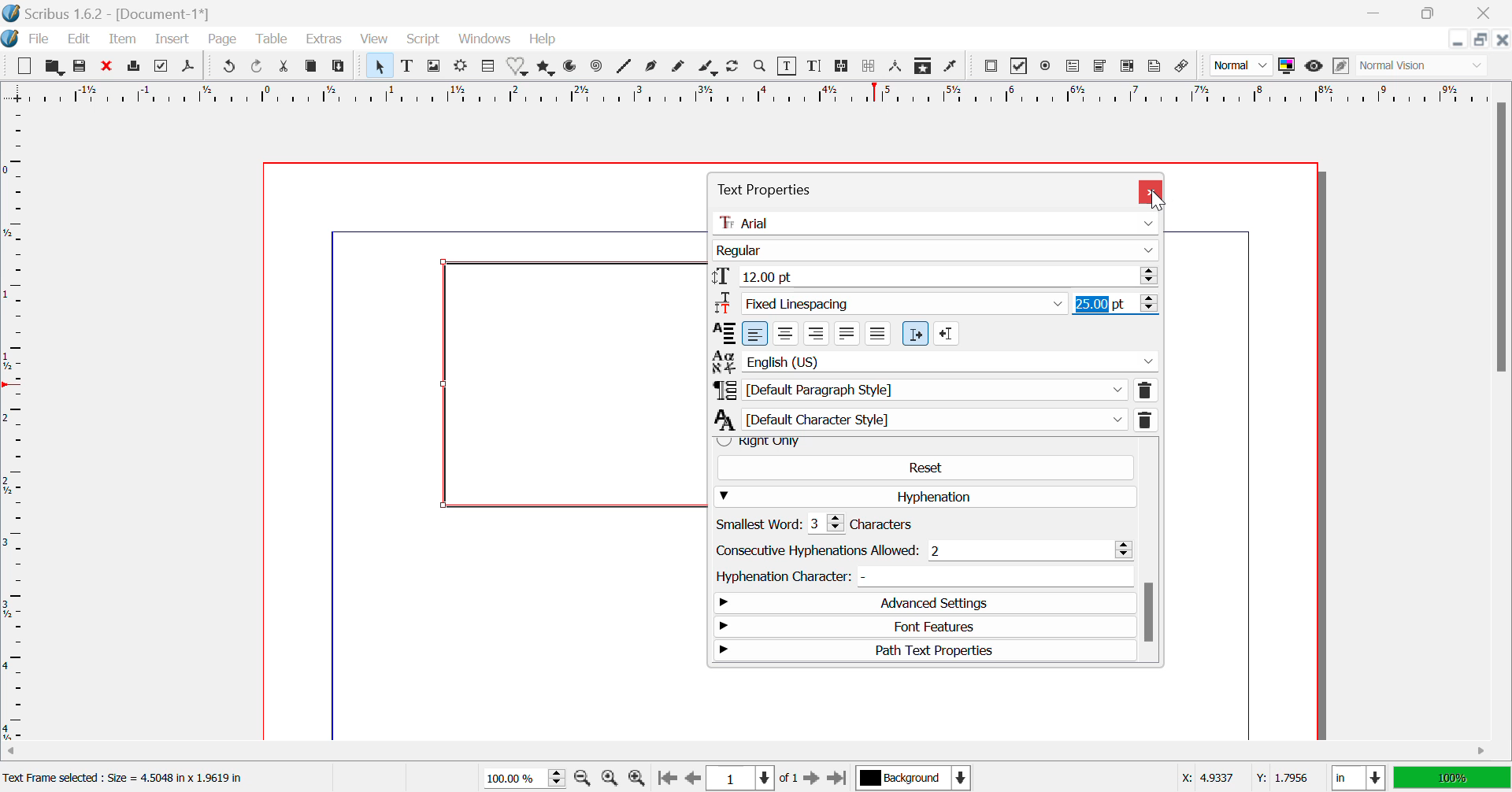 This screenshot has height=792, width=1512. Describe the element at coordinates (435, 66) in the screenshot. I see `Image Frame` at that location.